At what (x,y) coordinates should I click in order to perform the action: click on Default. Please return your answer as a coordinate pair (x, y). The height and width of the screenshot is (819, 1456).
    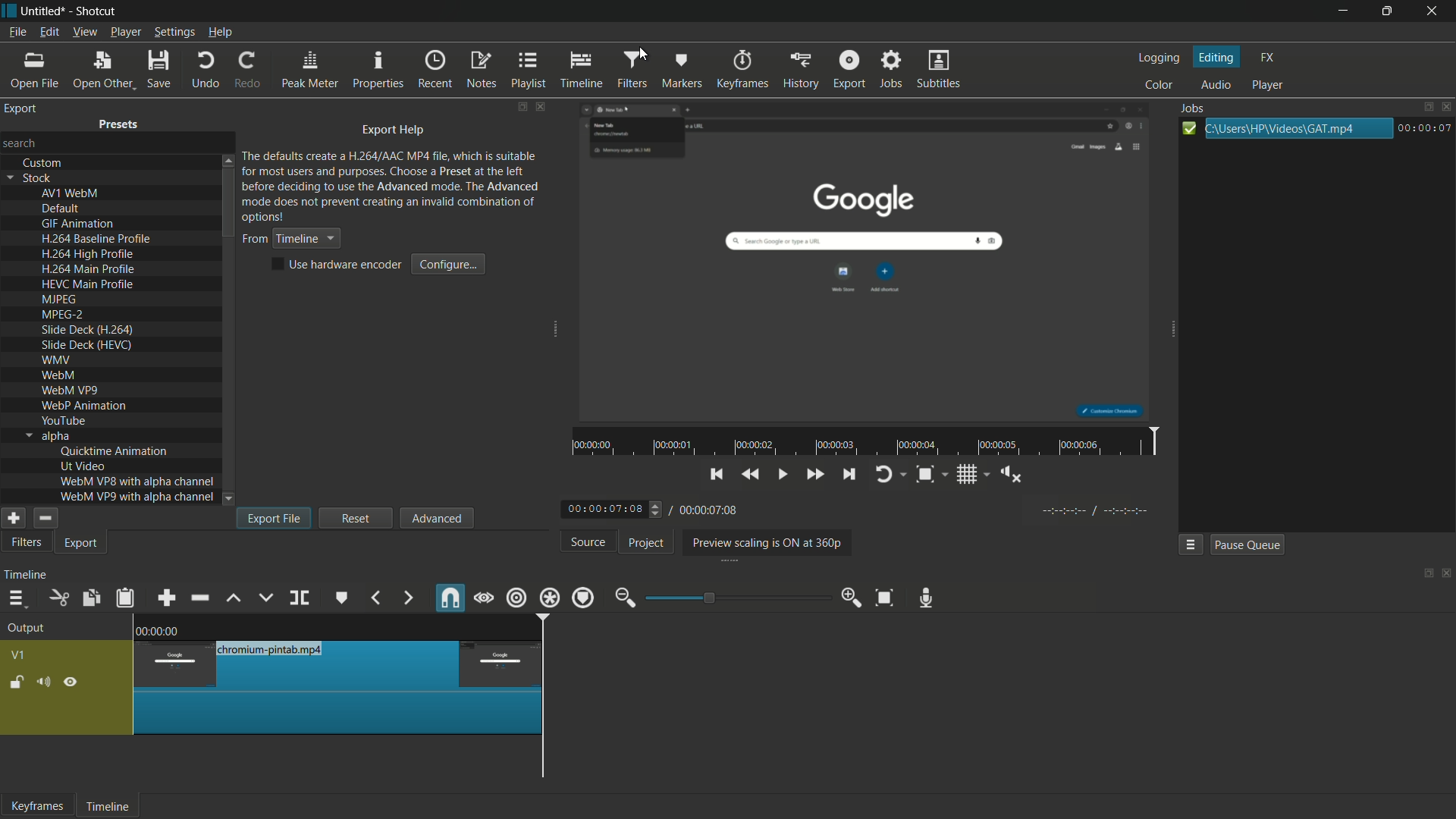
    Looking at the image, I should click on (62, 209).